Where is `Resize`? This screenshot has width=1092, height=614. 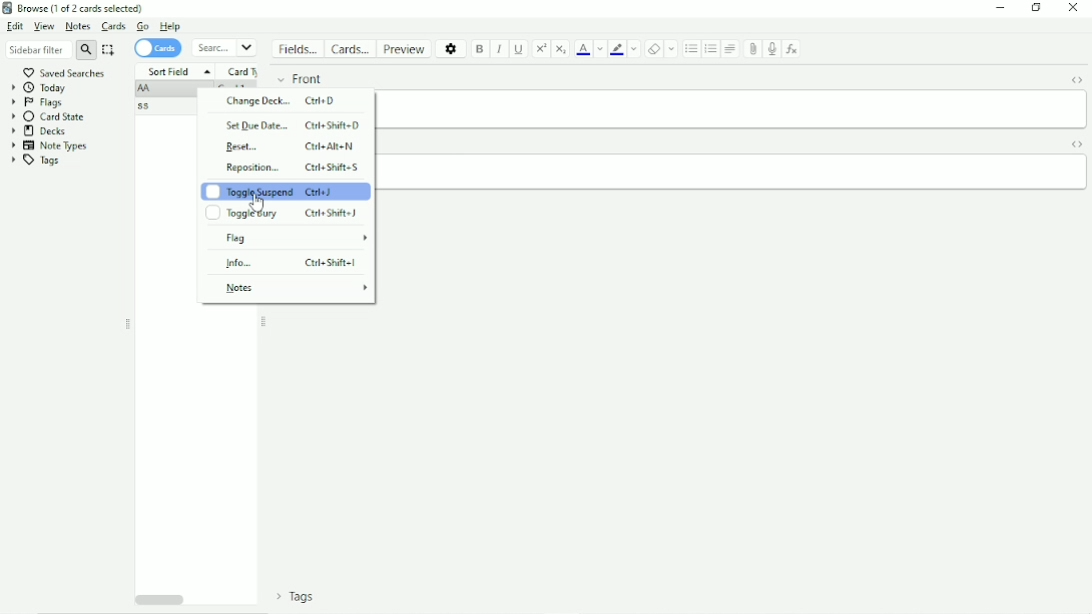 Resize is located at coordinates (128, 325).